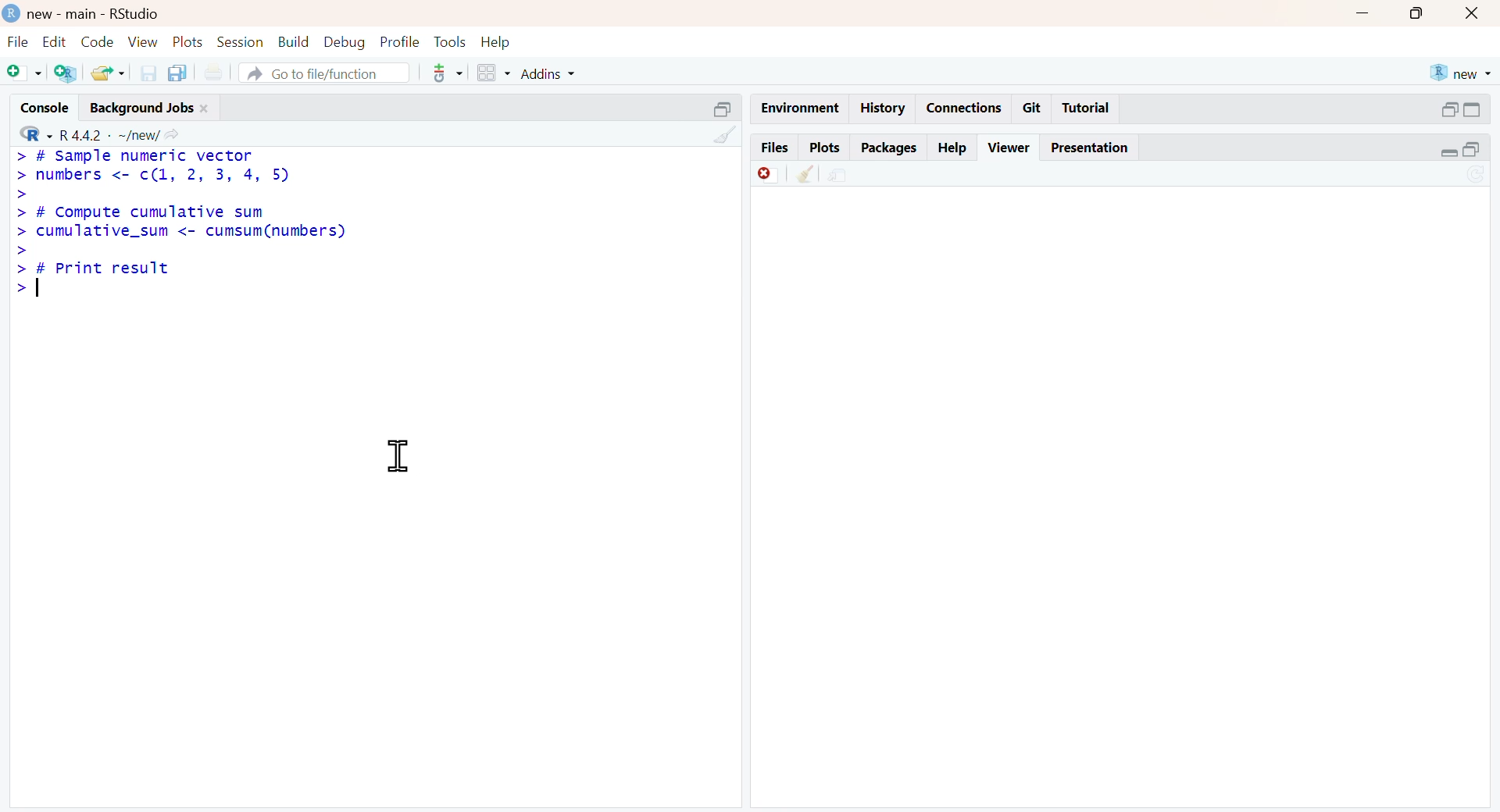 The height and width of the screenshot is (812, 1500). I want to click on offline, so click(768, 173).